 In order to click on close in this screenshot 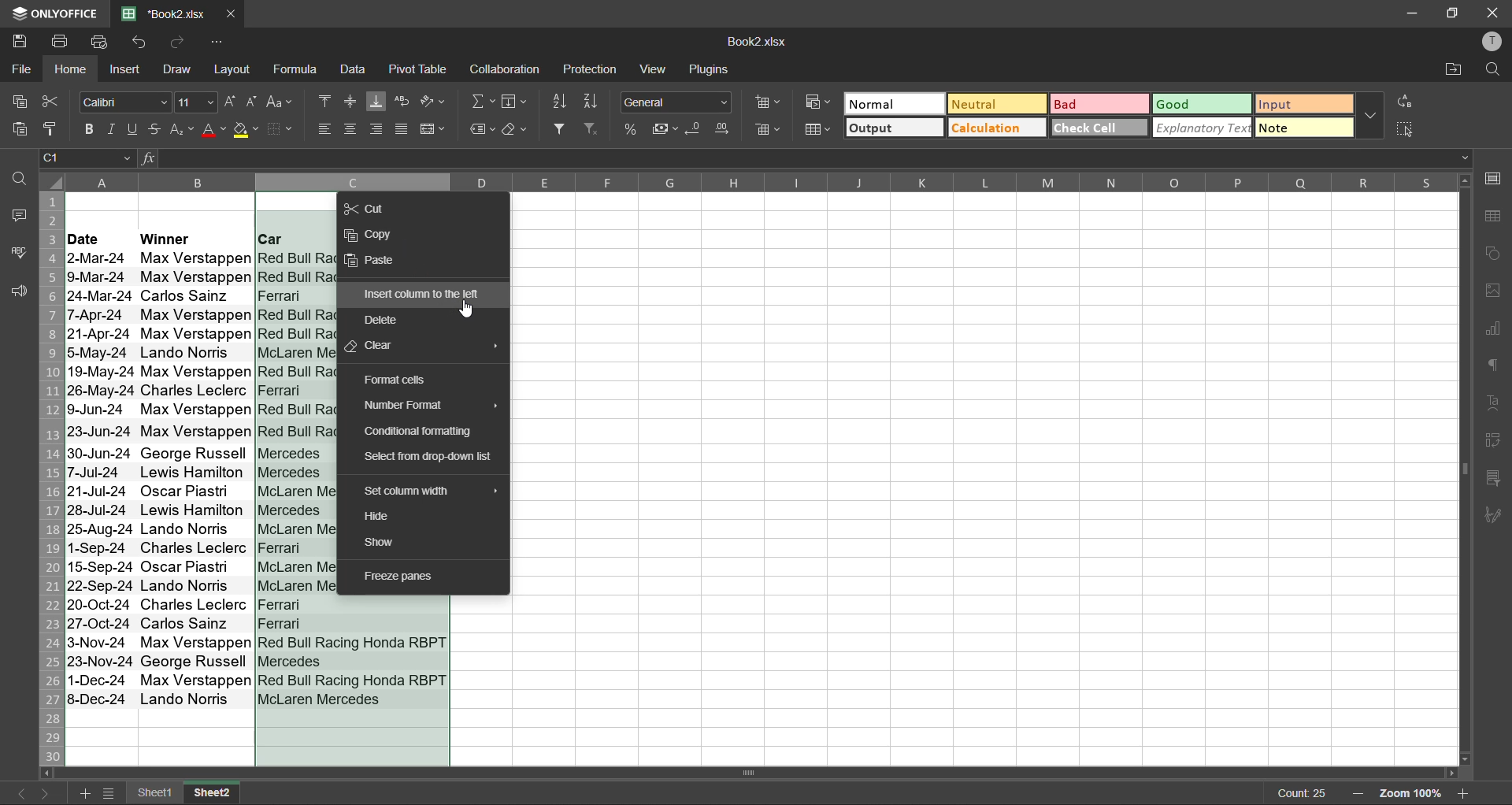, I will do `click(1490, 12)`.